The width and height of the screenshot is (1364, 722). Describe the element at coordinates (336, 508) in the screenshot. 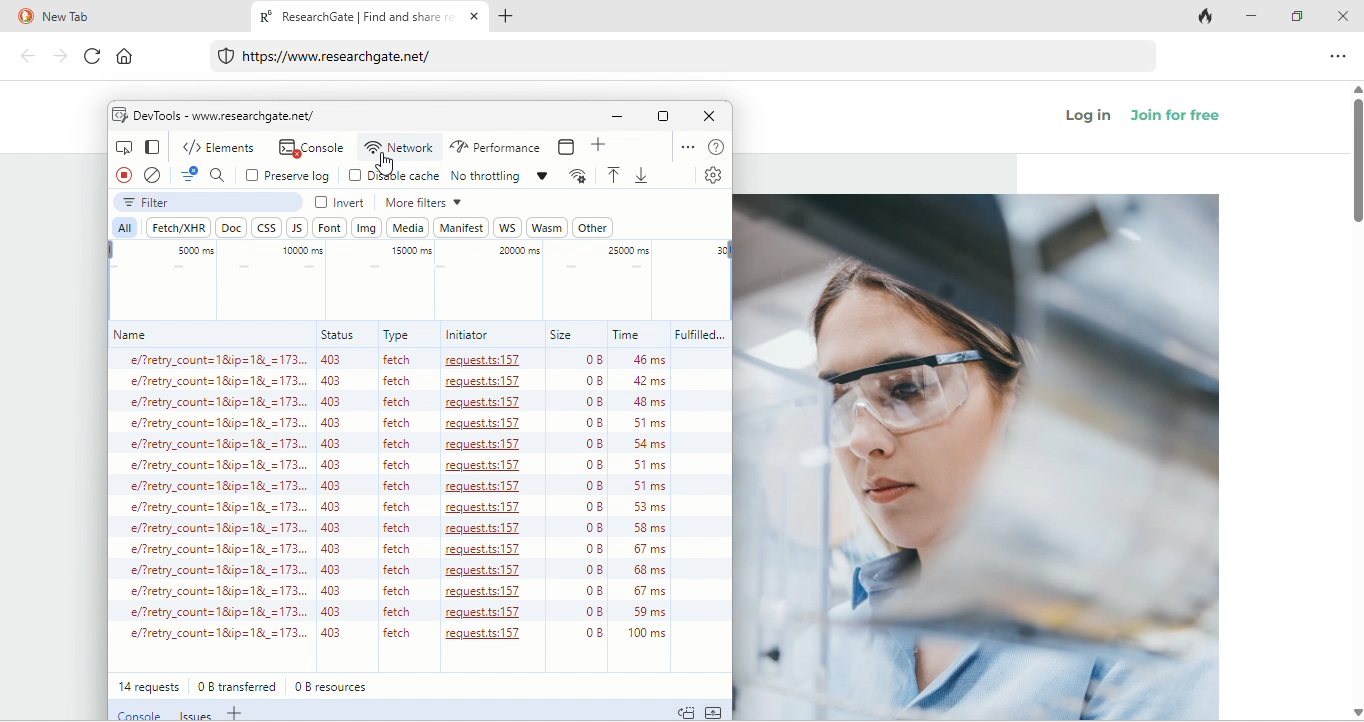

I see `all status 403` at that location.